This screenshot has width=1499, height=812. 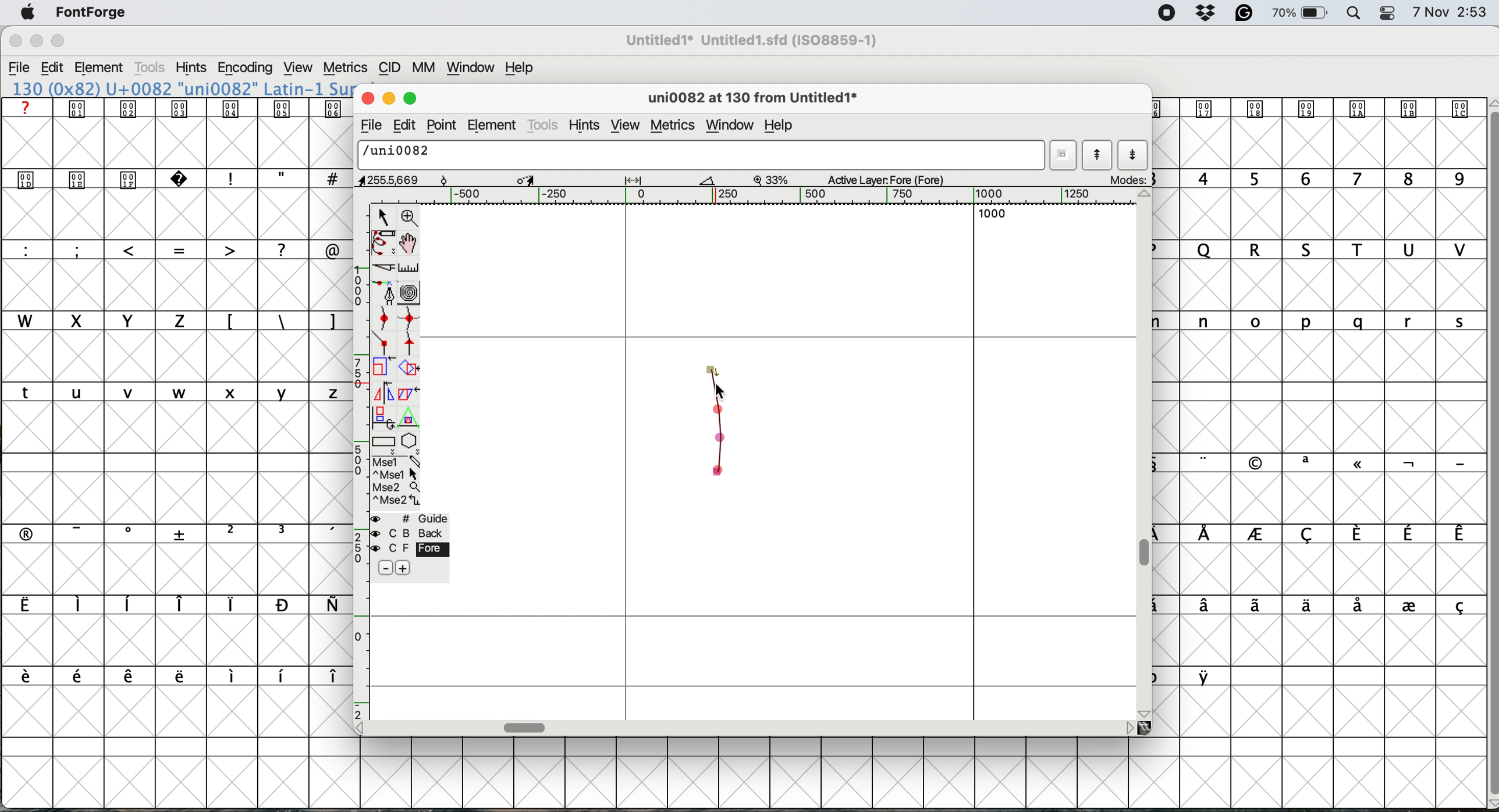 I want to click on edit, so click(x=58, y=68).